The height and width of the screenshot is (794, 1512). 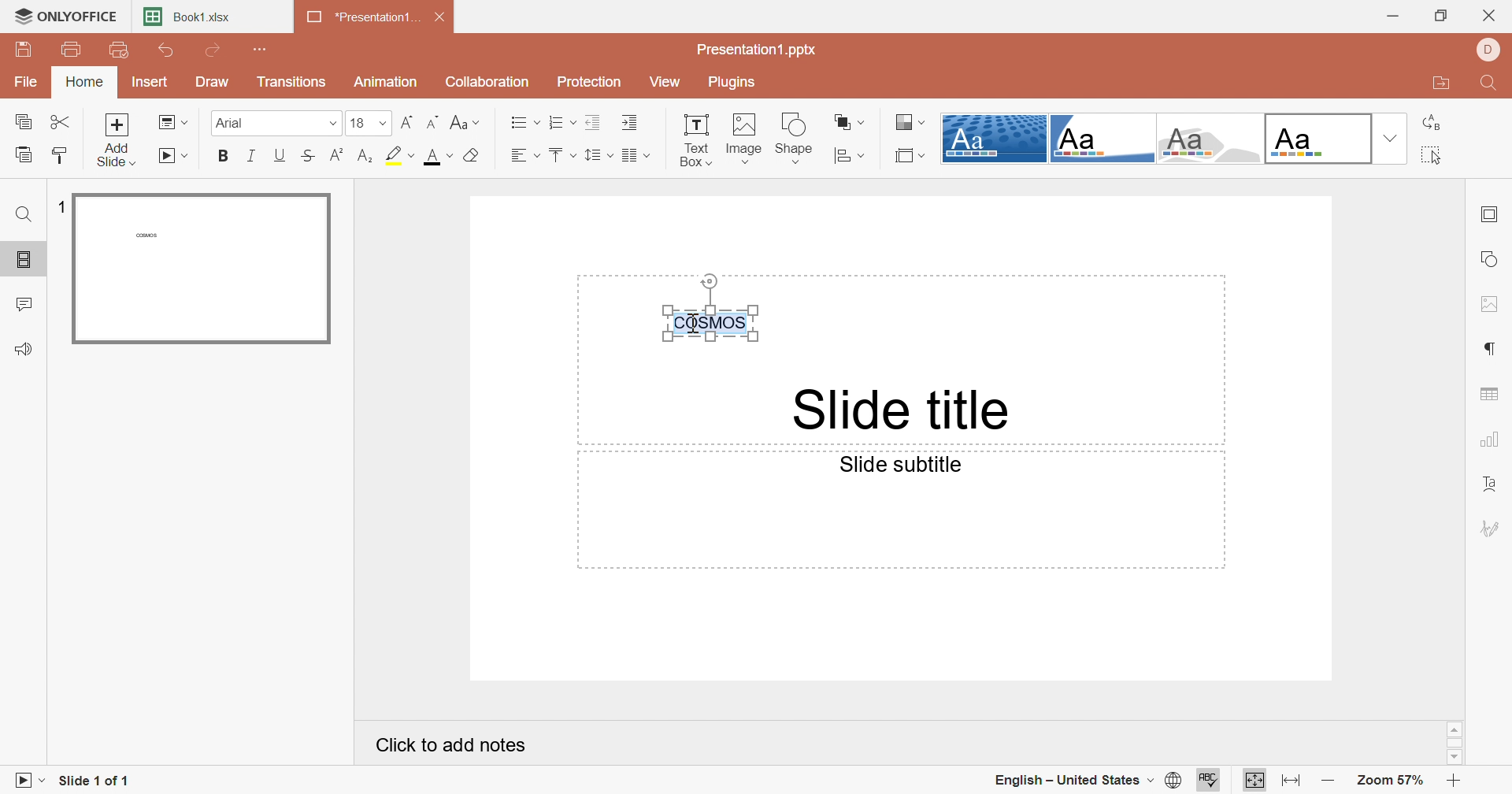 What do you see at coordinates (1210, 139) in the screenshot?
I see `Turtle` at bounding box center [1210, 139].